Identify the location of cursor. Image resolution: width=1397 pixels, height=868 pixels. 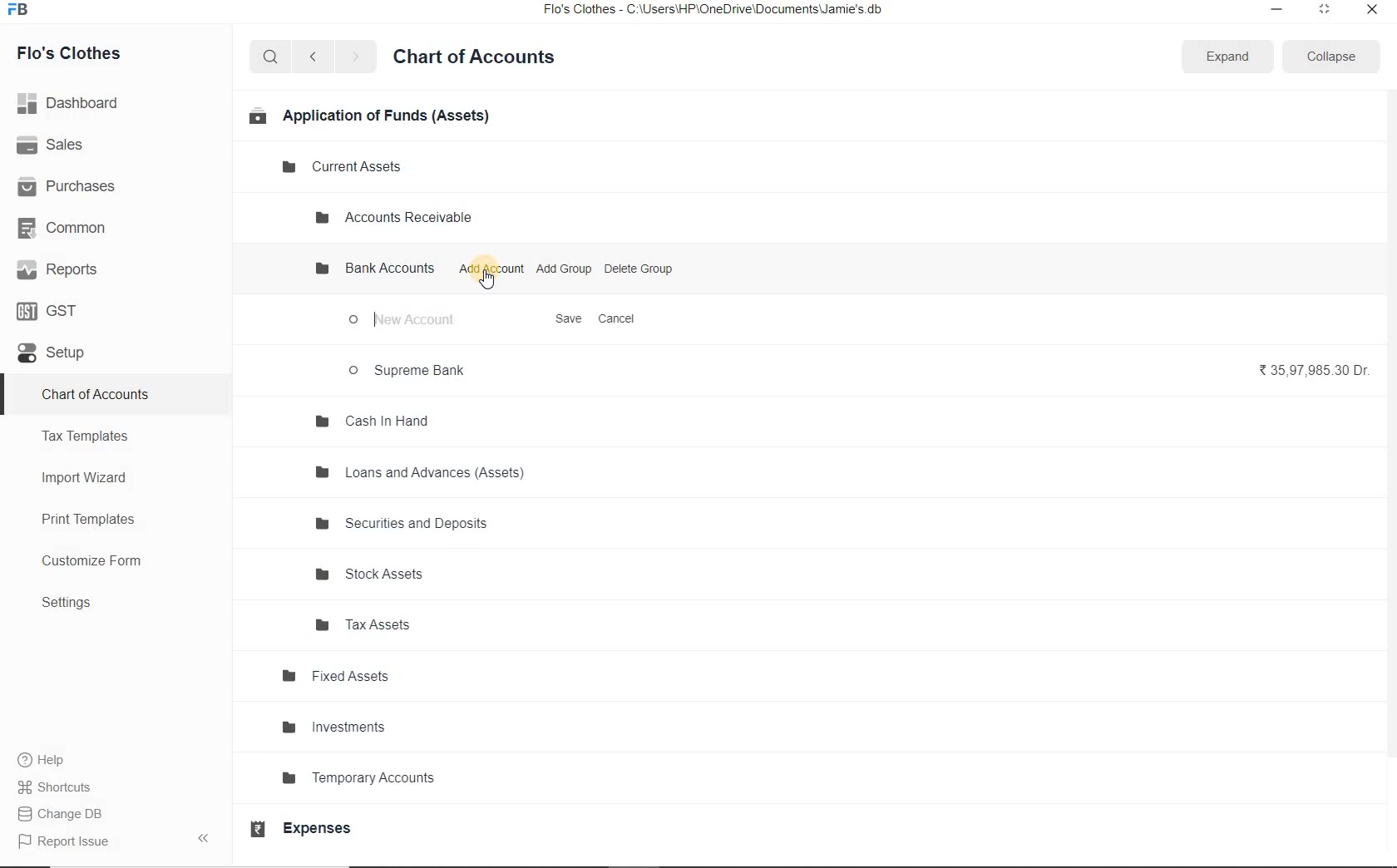
(489, 287).